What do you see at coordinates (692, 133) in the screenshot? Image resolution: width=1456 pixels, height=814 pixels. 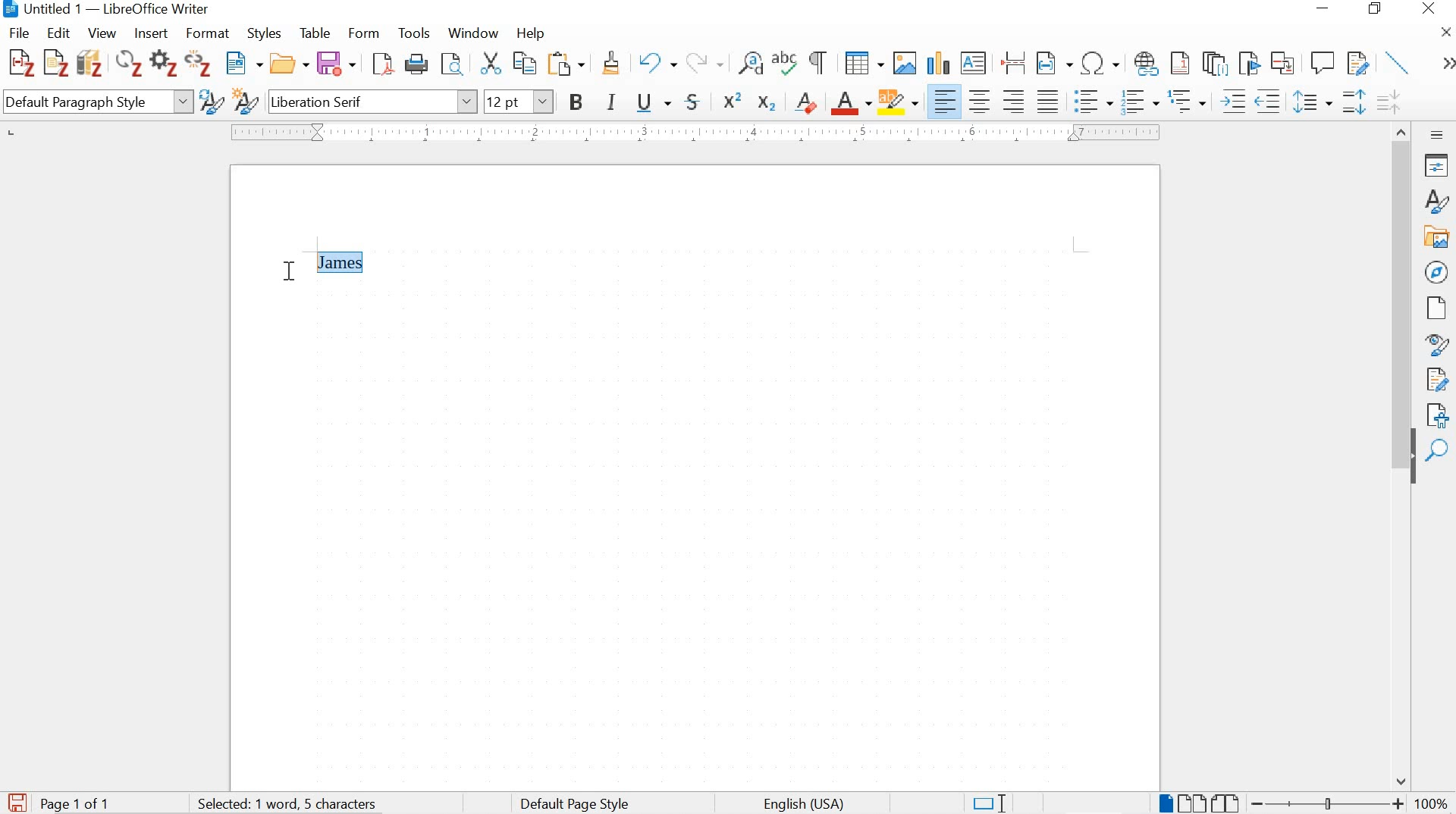 I see `ruler` at bounding box center [692, 133].